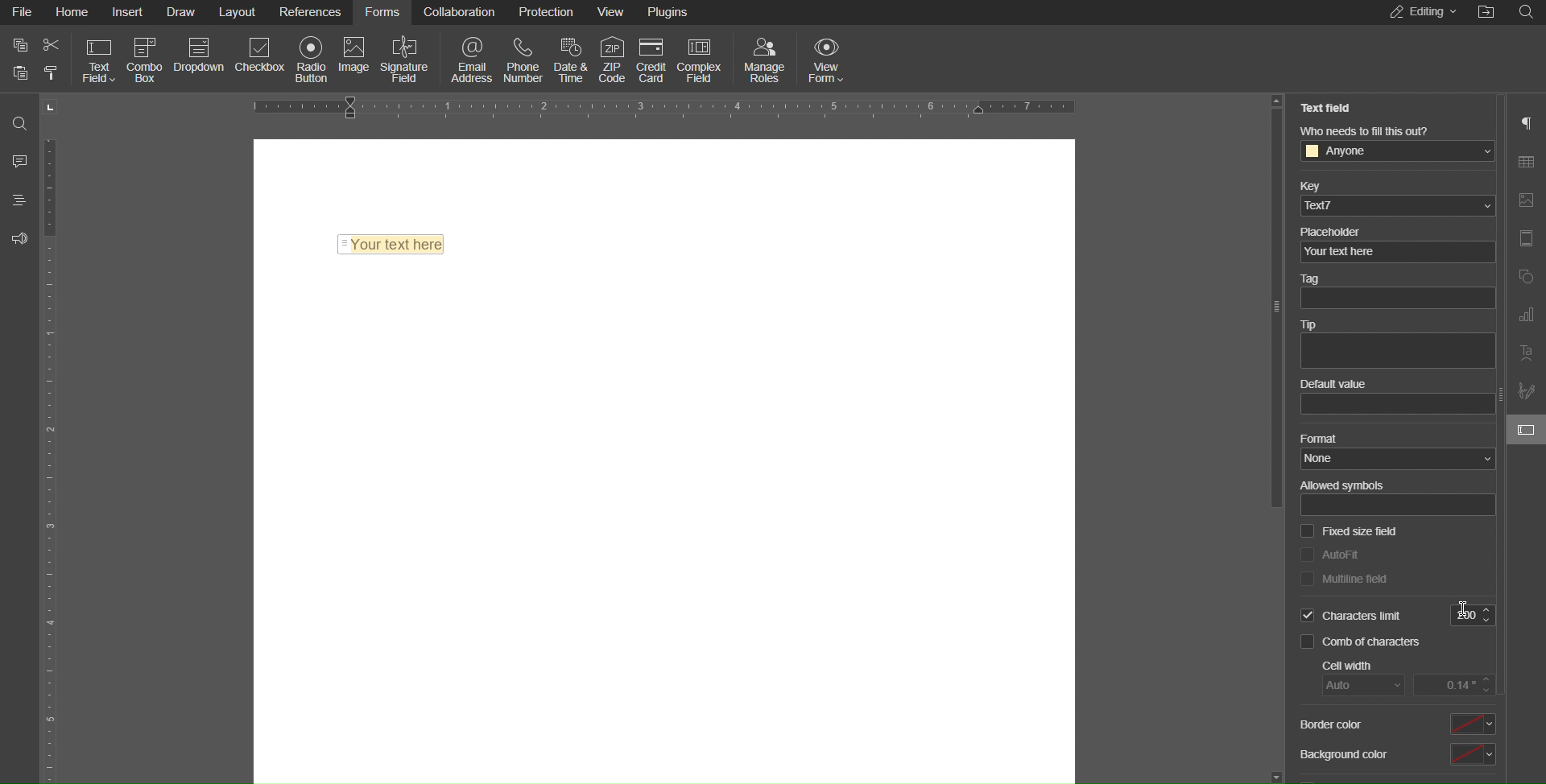  Describe the element at coordinates (1527, 163) in the screenshot. I see `Table Settings` at that location.